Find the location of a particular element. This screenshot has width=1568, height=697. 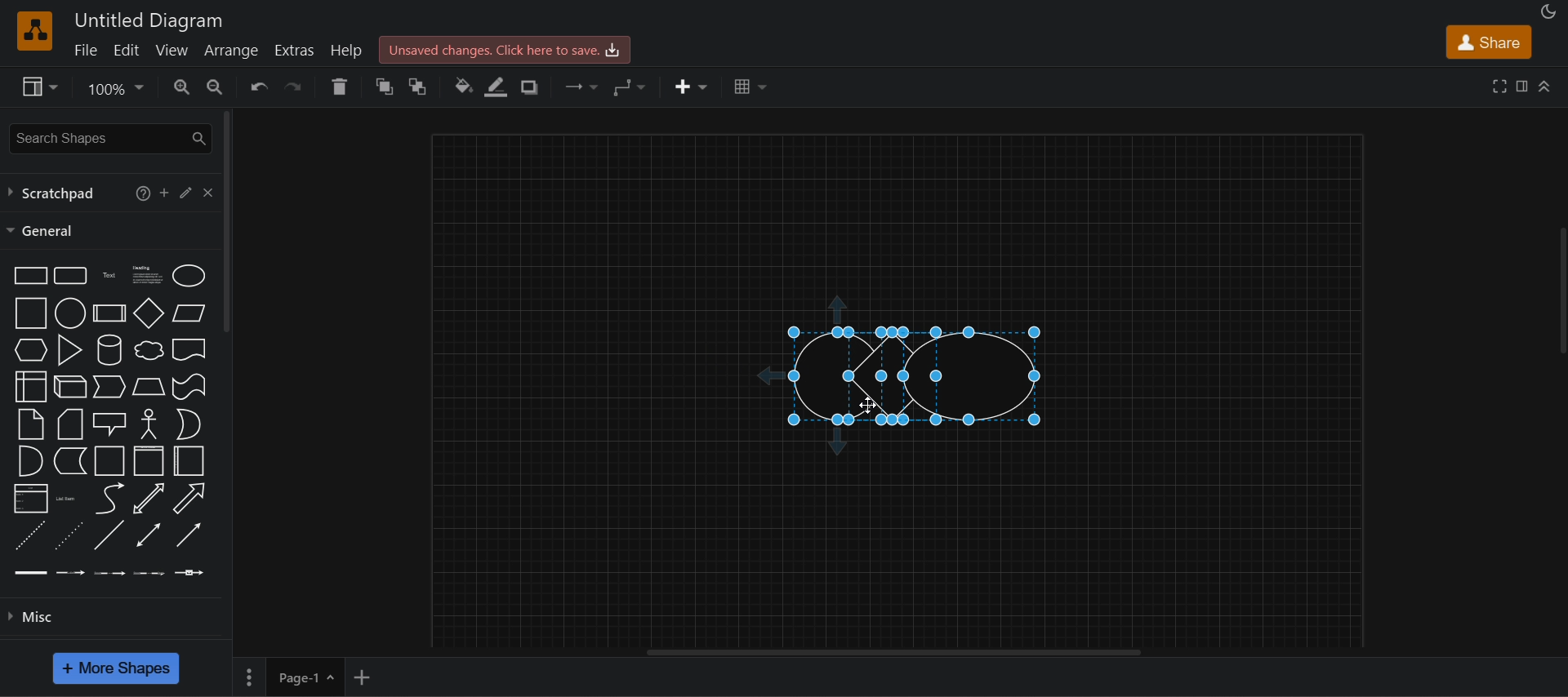

zoom out is located at coordinates (213, 85).